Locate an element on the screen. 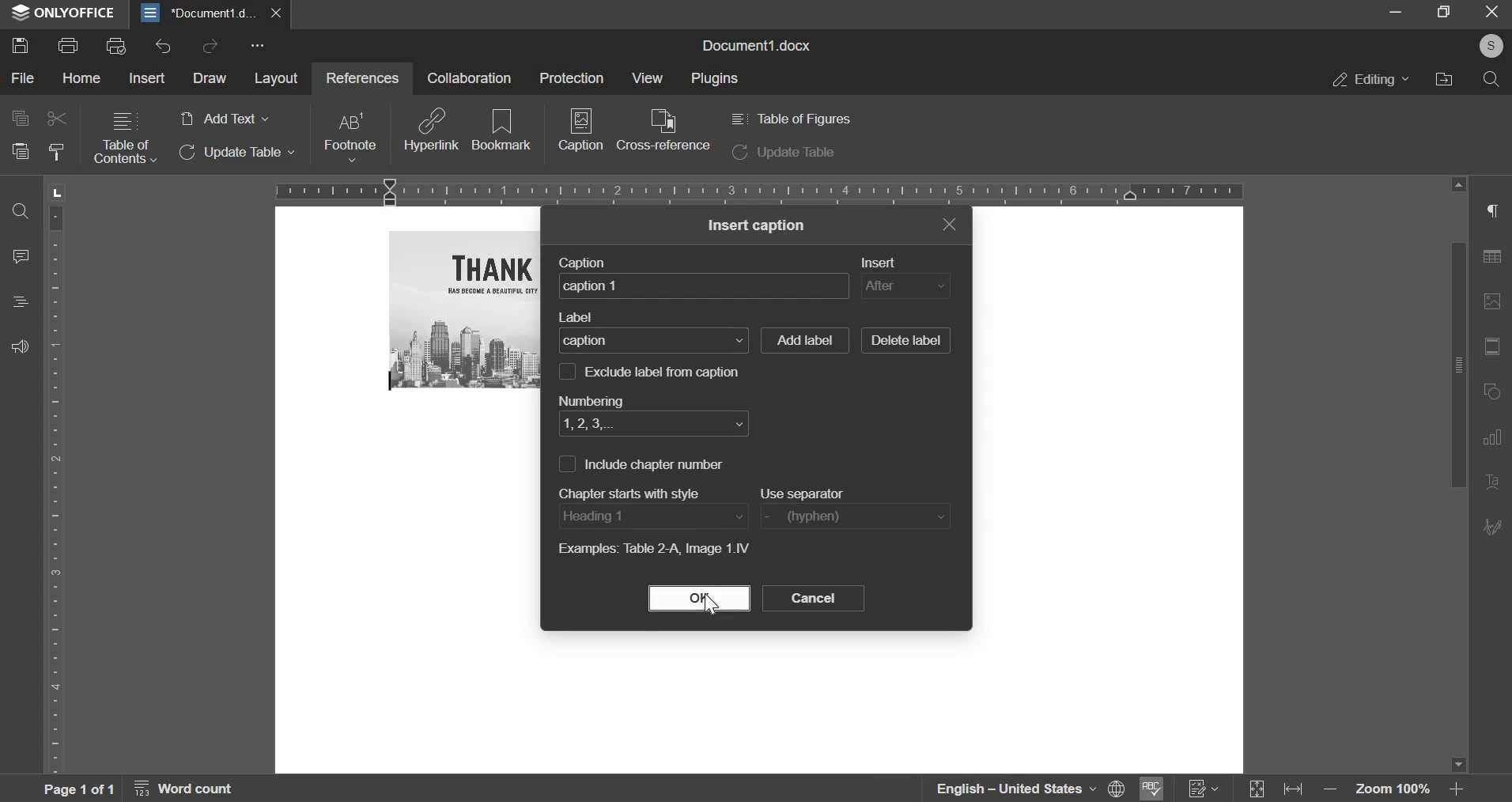  Spell Checking is located at coordinates (1149, 789).